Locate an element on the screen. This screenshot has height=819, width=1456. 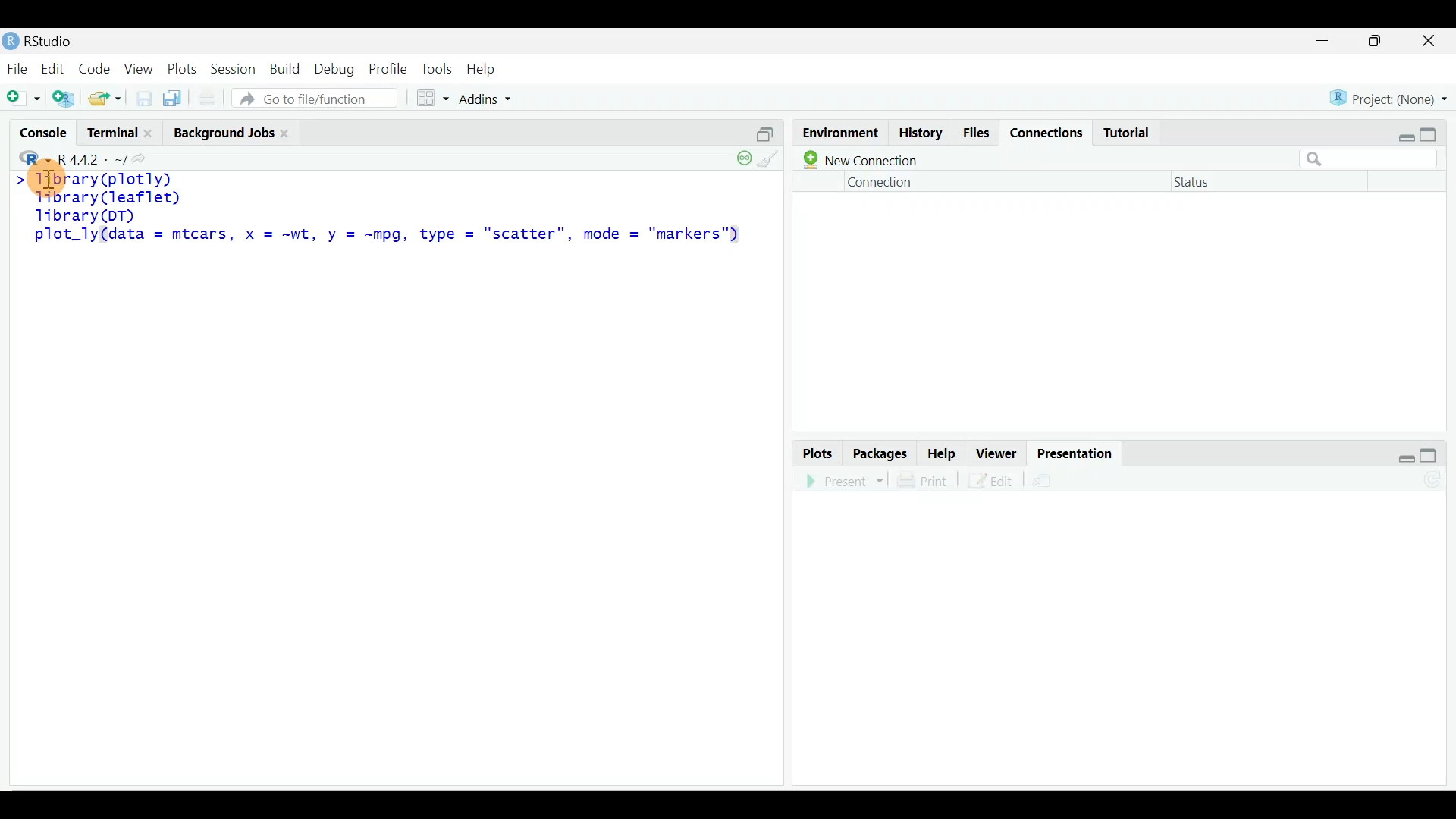
Present in an external web browser is located at coordinates (1065, 480).